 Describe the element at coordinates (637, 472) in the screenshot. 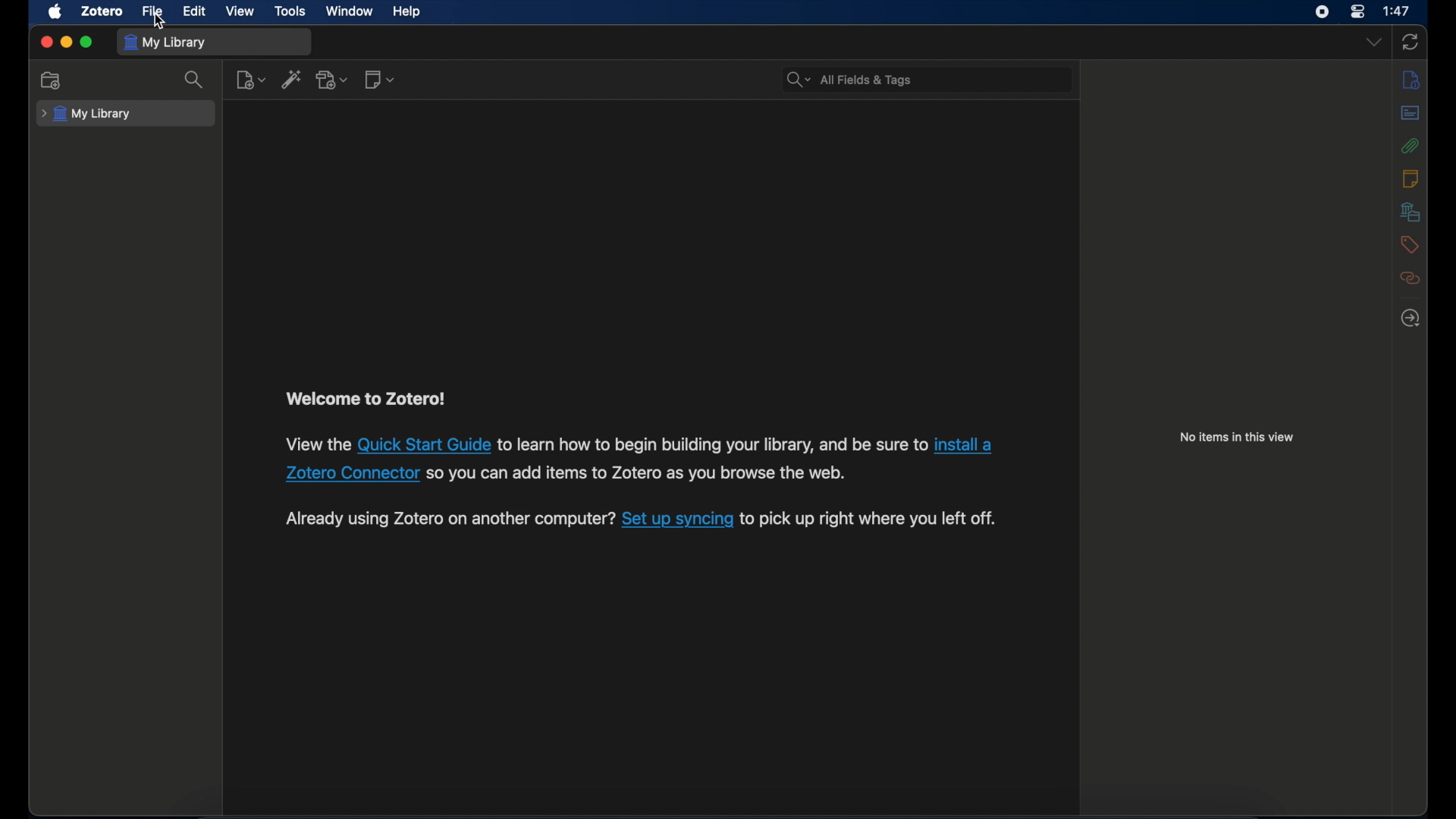

I see `so you can add items to Zotero as you browse the web.` at that location.